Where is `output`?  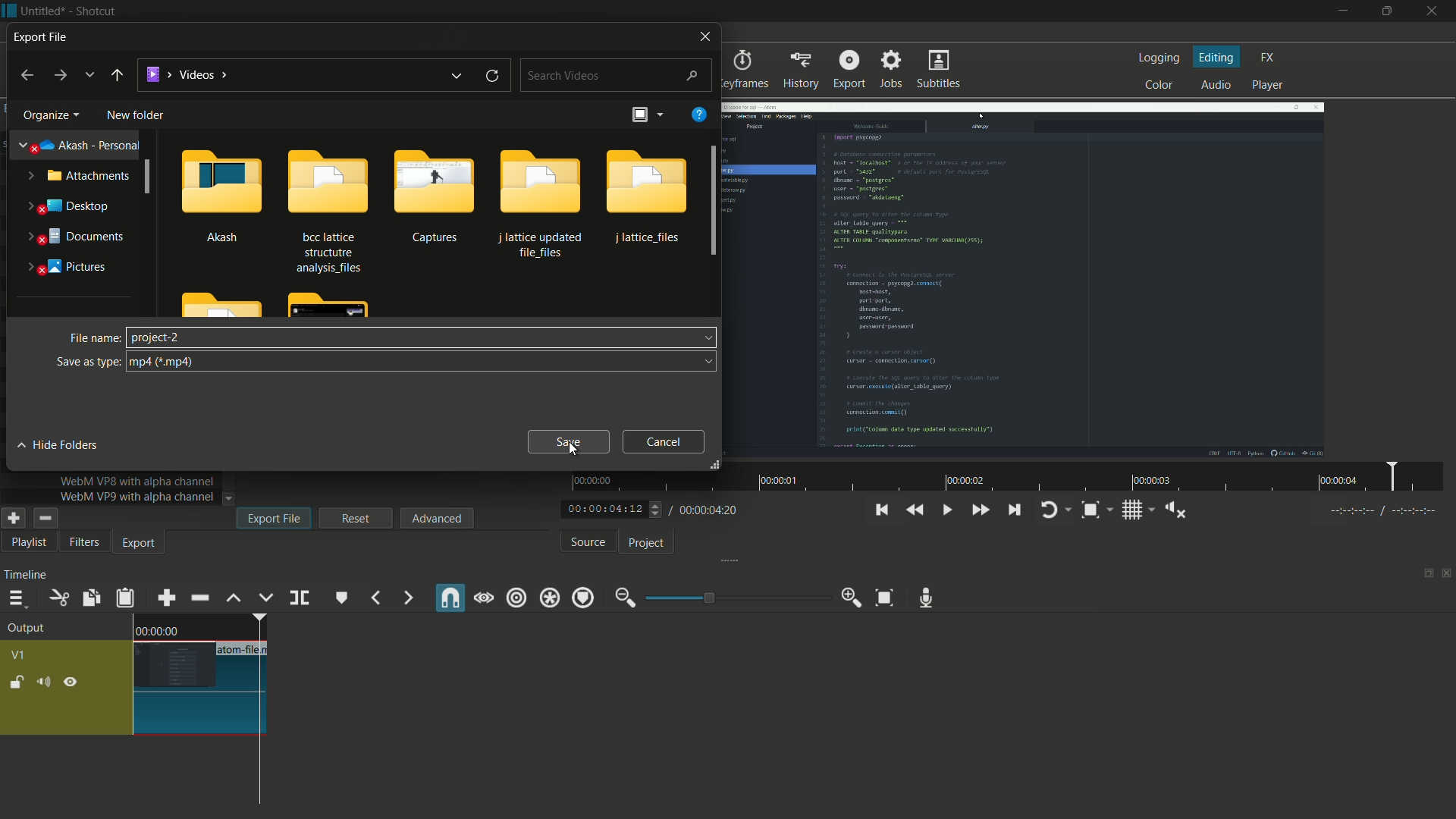 output is located at coordinates (30, 629).